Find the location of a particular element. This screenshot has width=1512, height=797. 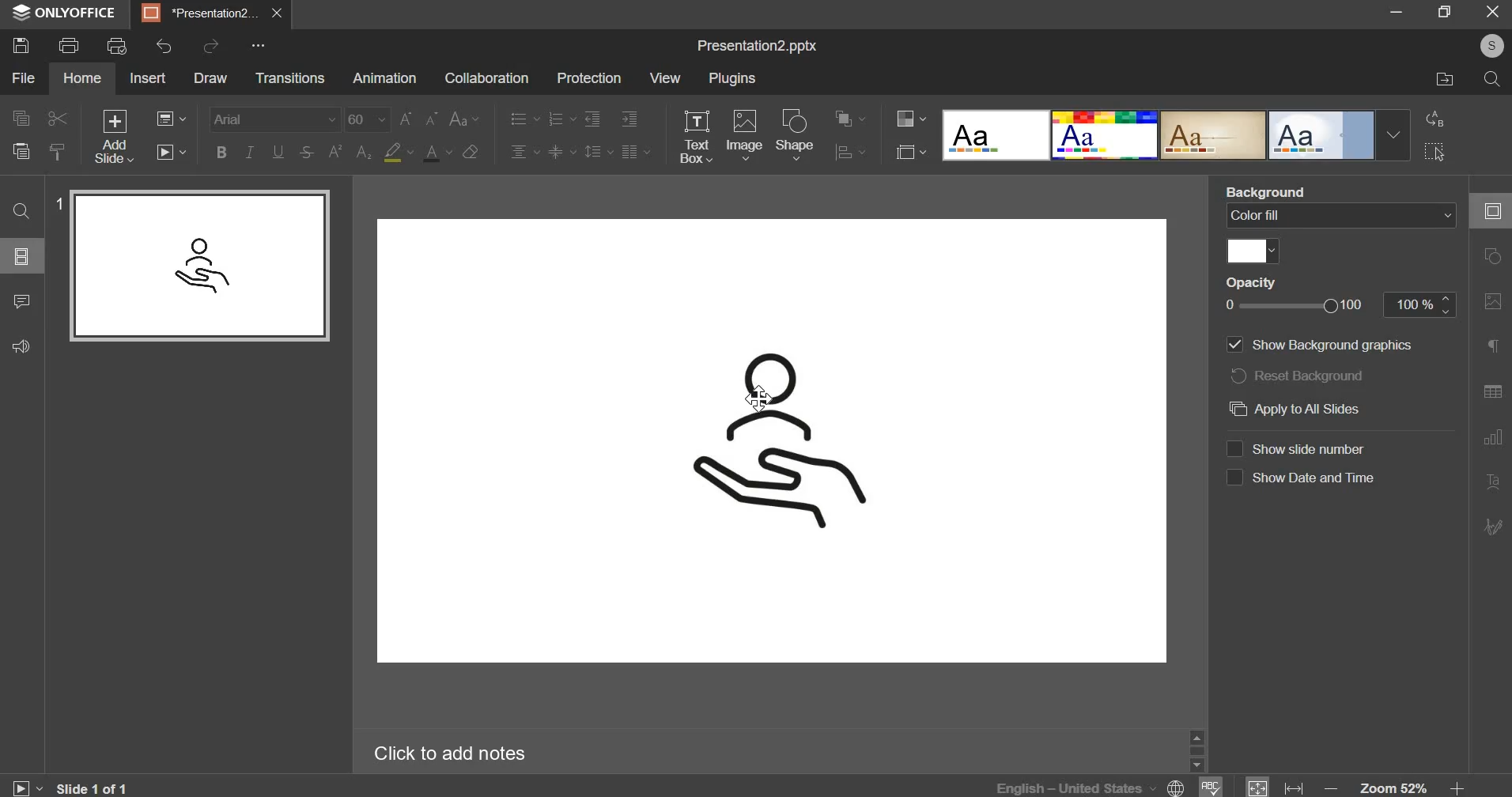

undo is located at coordinates (164, 46).